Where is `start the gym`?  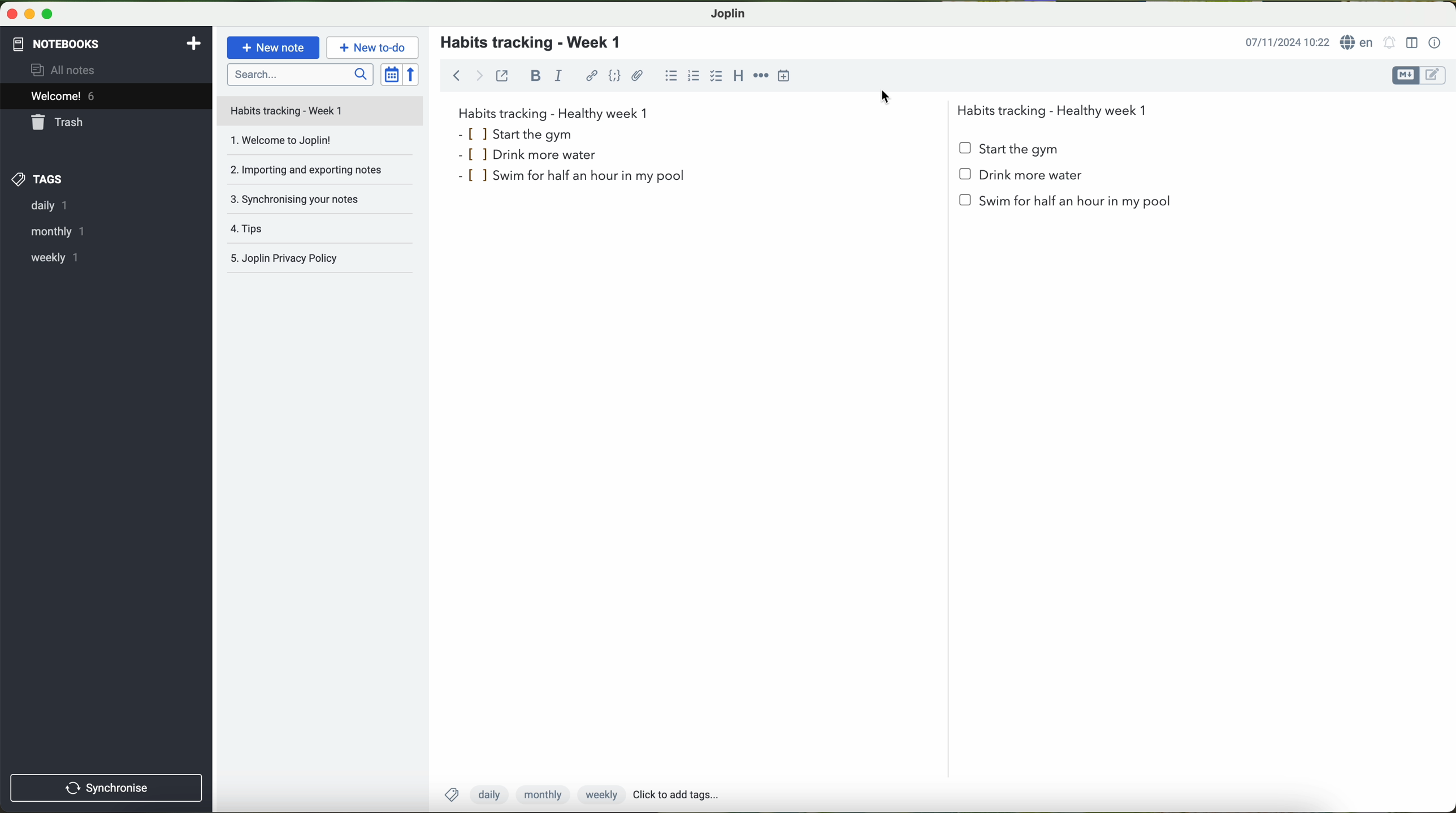 start the gym is located at coordinates (1010, 149).